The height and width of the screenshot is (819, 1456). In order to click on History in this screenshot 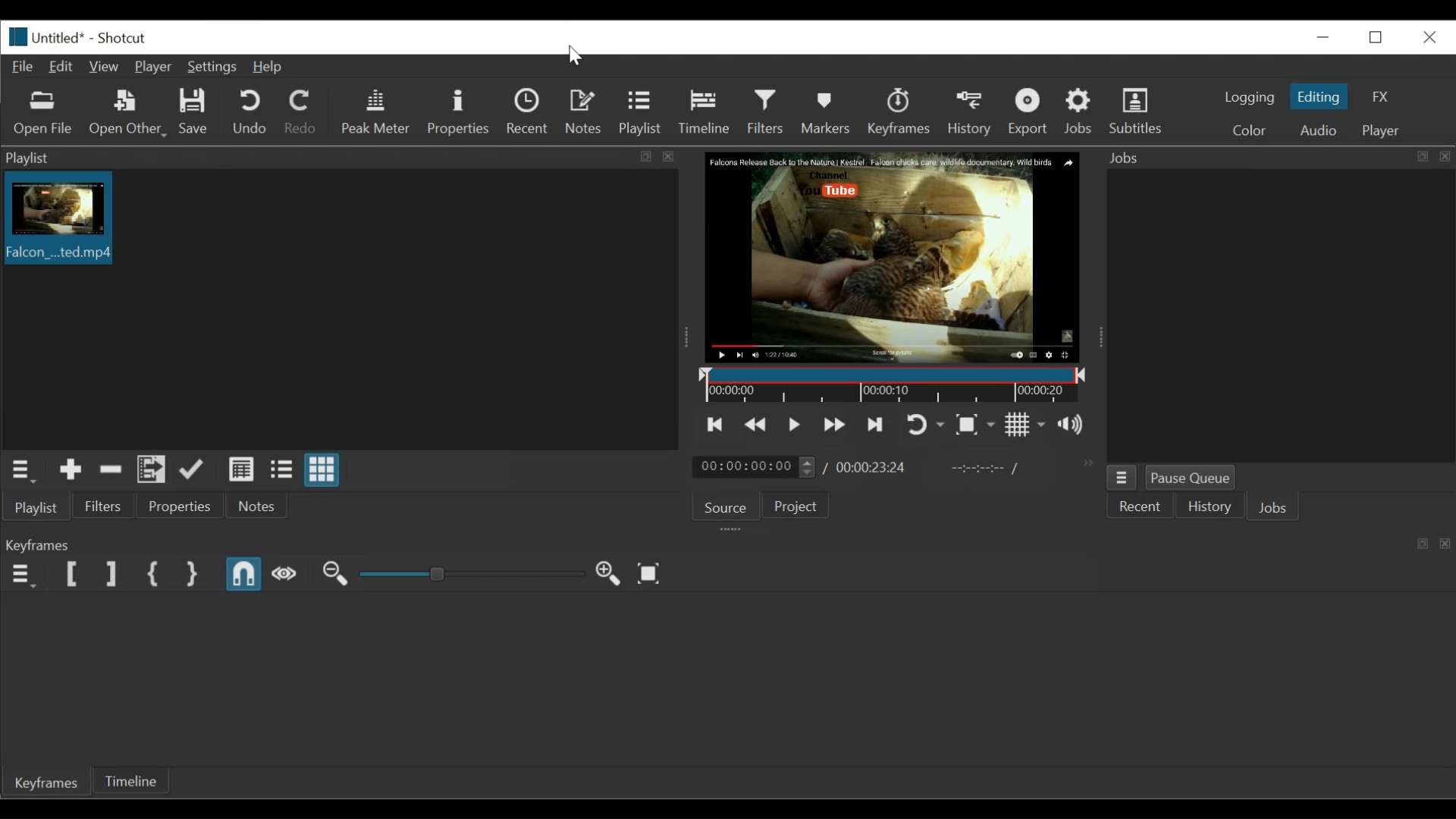, I will do `click(1213, 508)`.